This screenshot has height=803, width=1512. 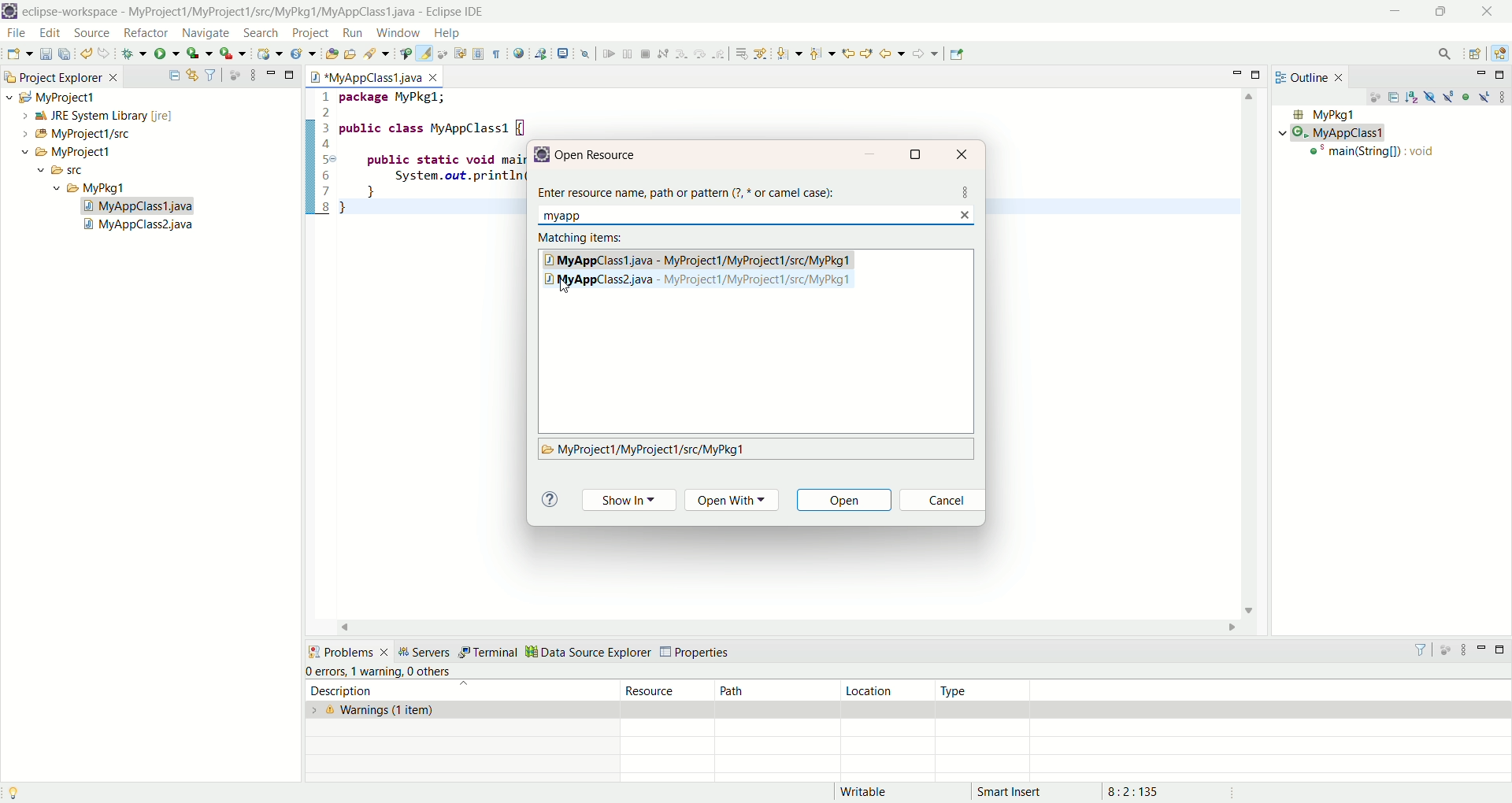 What do you see at coordinates (775, 690) in the screenshot?
I see `path` at bounding box center [775, 690].